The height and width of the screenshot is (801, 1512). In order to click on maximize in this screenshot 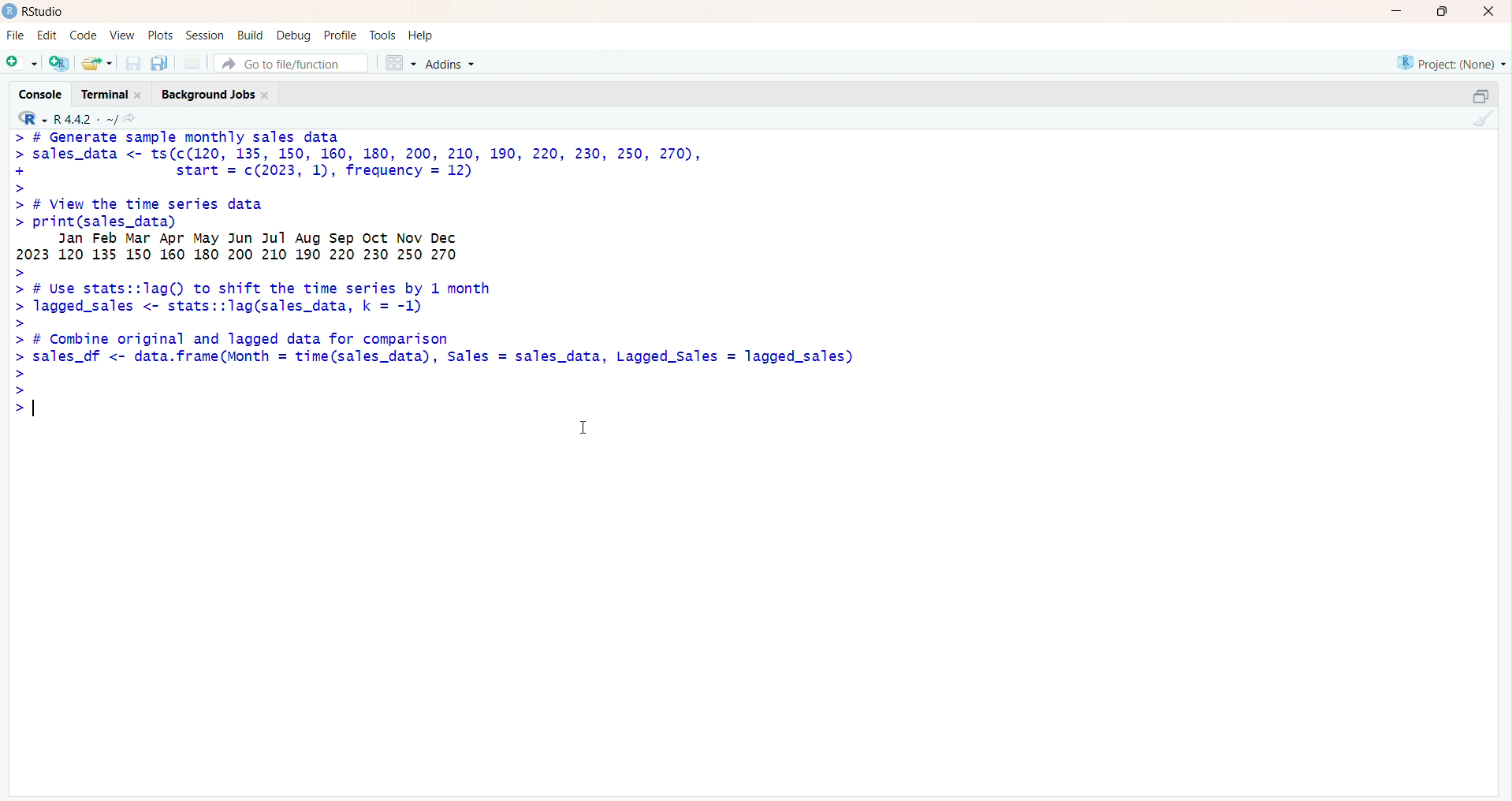, I will do `click(1441, 11)`.